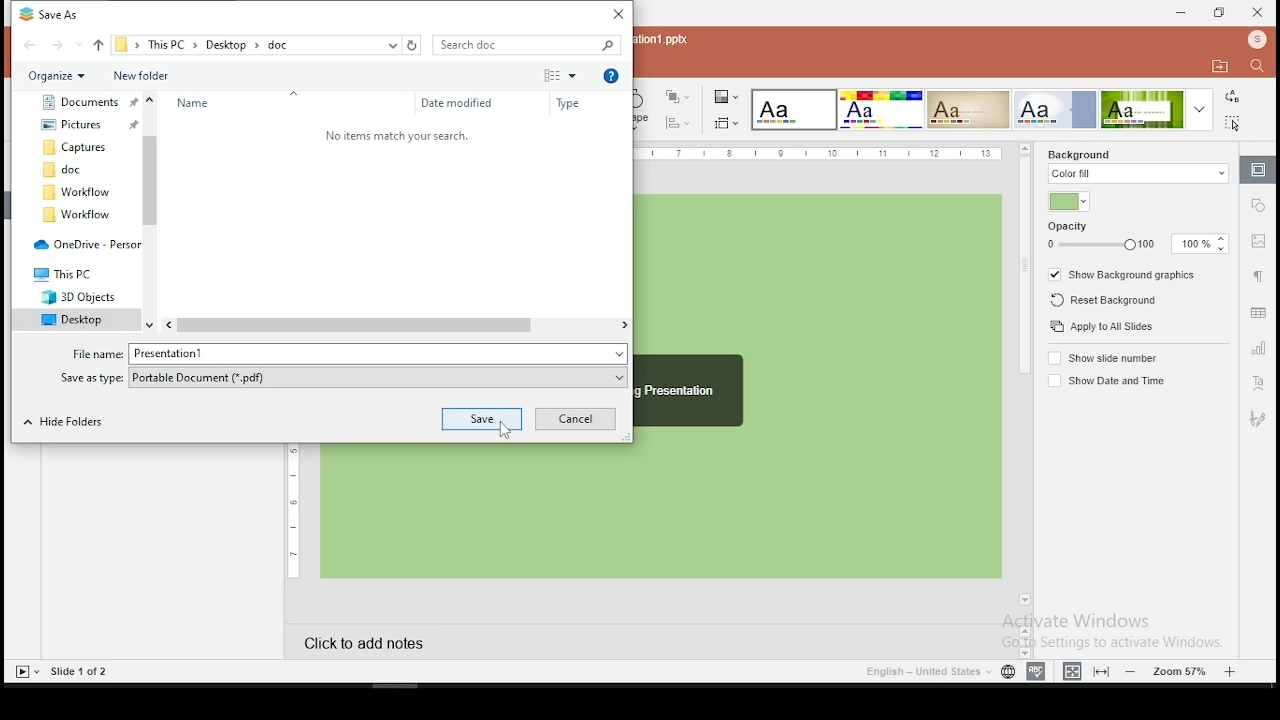 This screenshot has height=720, width=1280. Describe the element at coordinates (435, 645) in the screenshot. I see `click to add notes` at that location.